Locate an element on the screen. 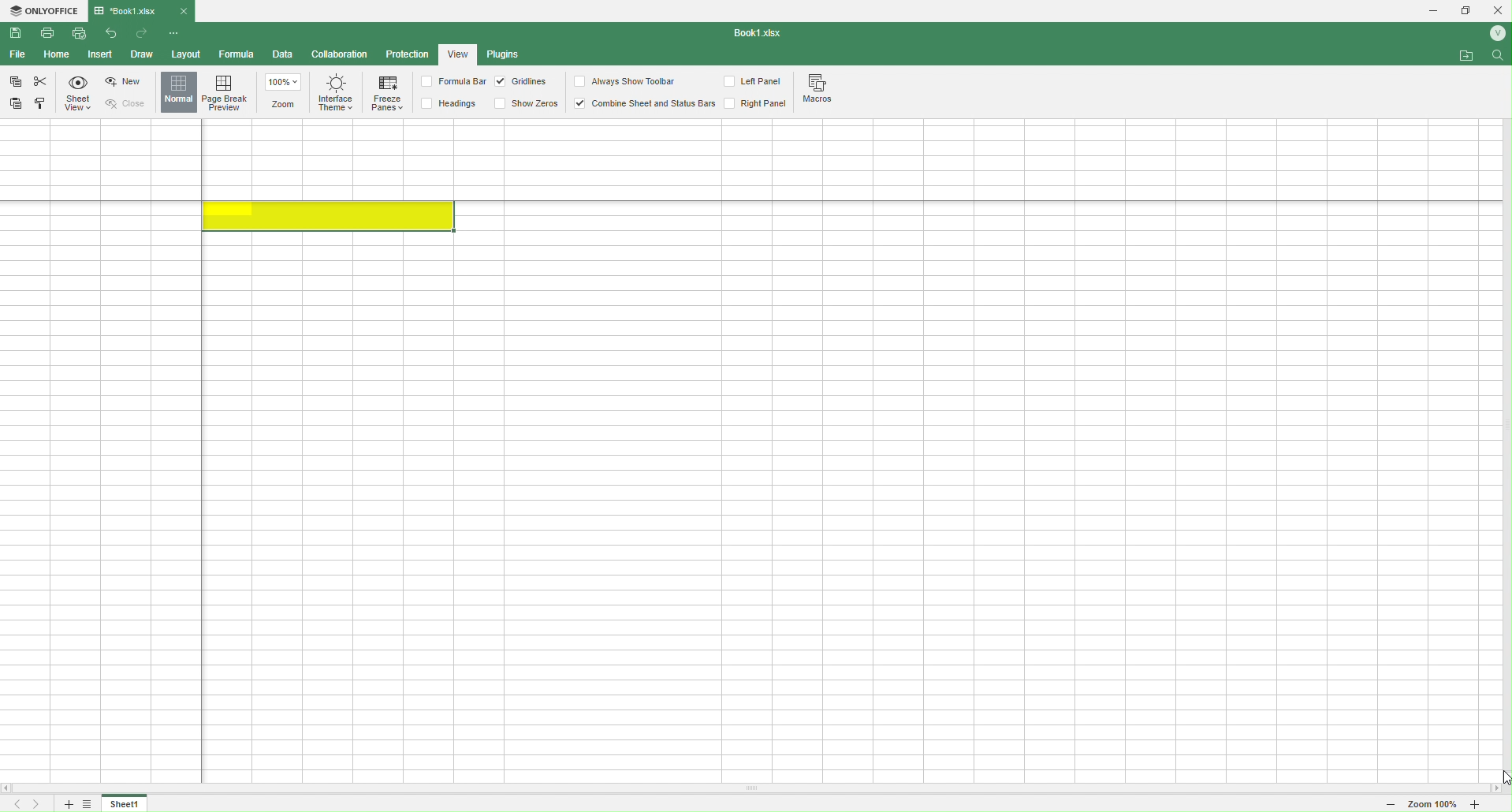 The width and height of the screenshot is (1512, 812). Find is located at coordinates (1499, 58).